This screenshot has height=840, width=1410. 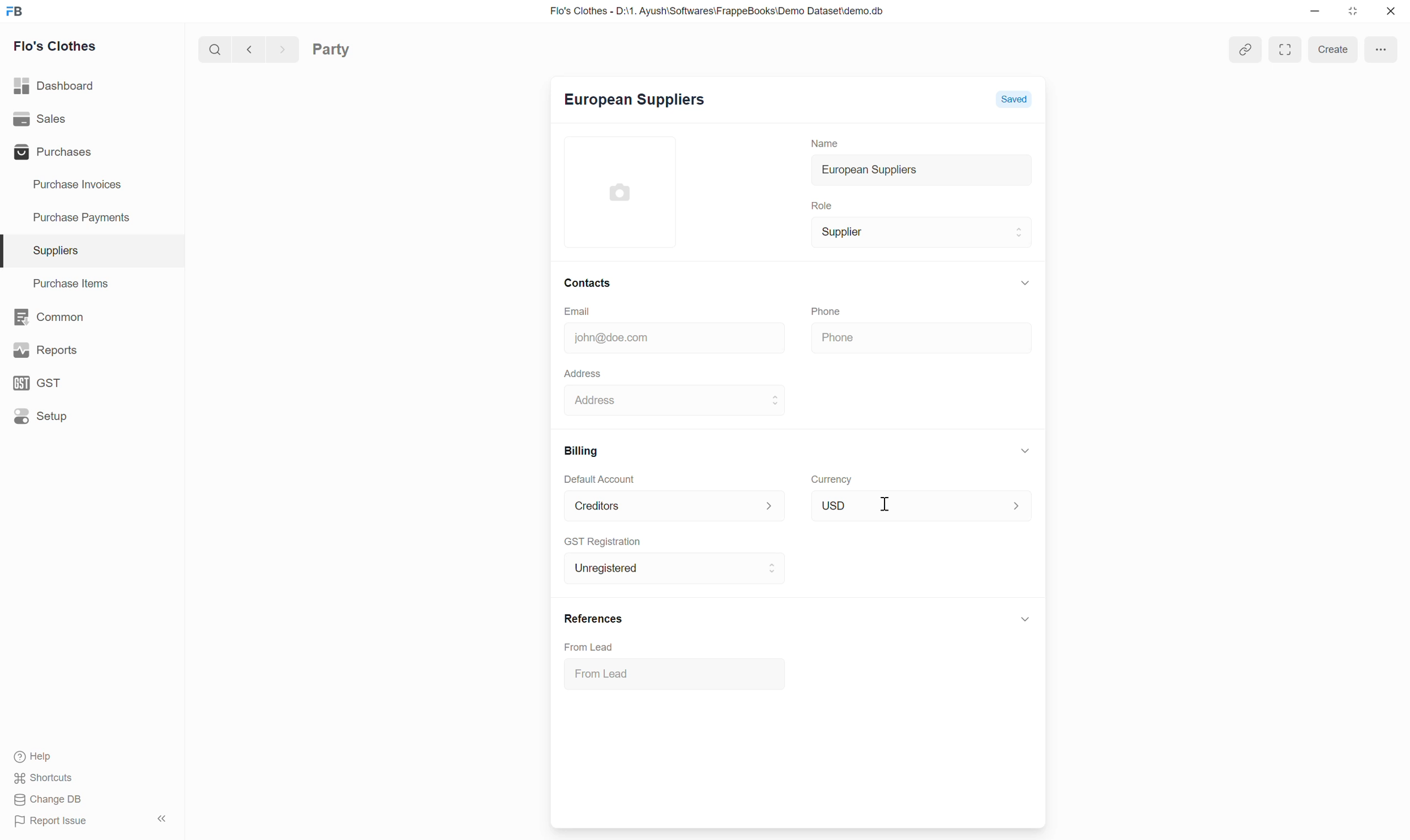 I want to click on Party, so click(x=350, y=48).